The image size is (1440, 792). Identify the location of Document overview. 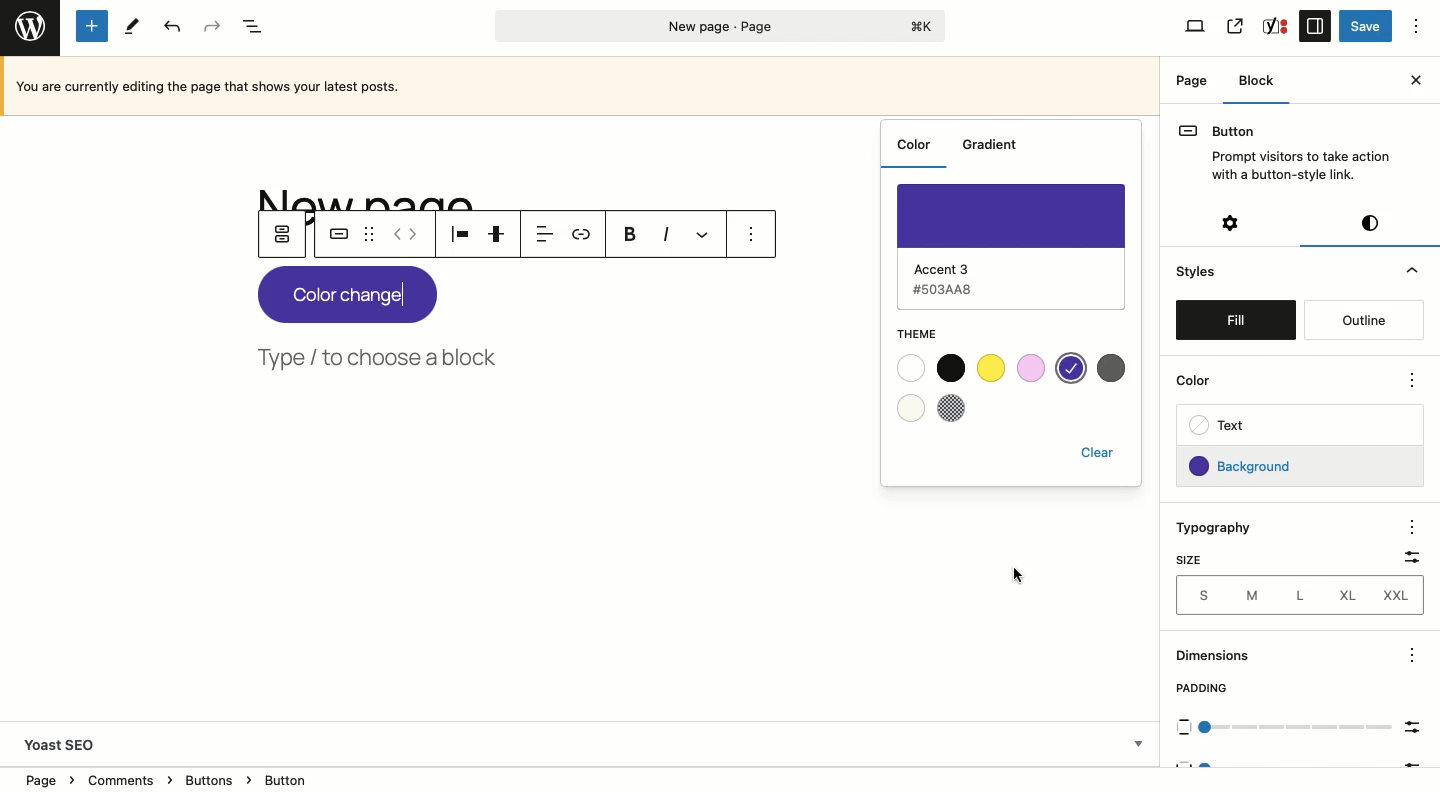
(256, 28).